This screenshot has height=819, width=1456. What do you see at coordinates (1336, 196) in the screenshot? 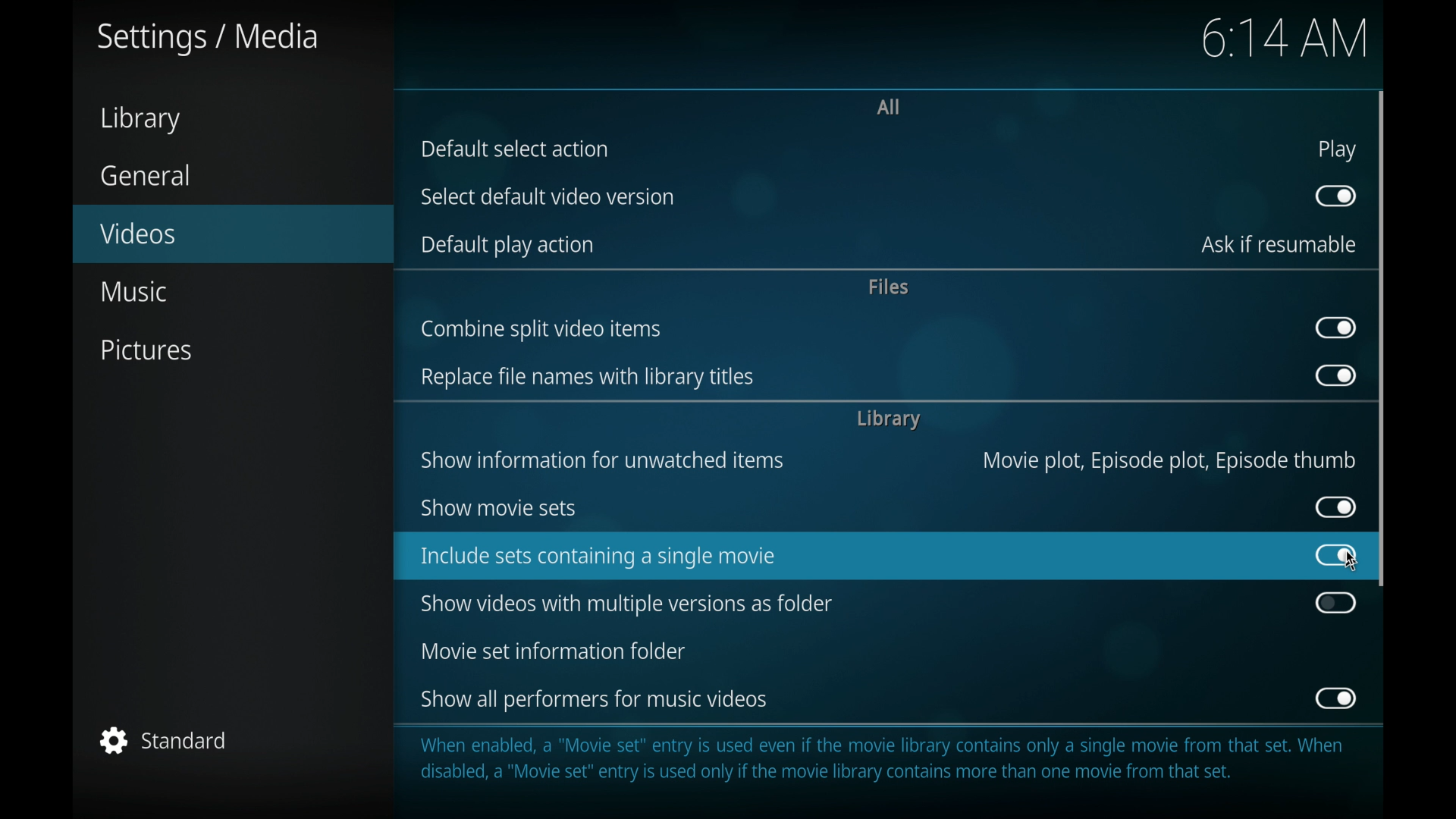
I see `toggle button` at bounding box center [1336, 196].